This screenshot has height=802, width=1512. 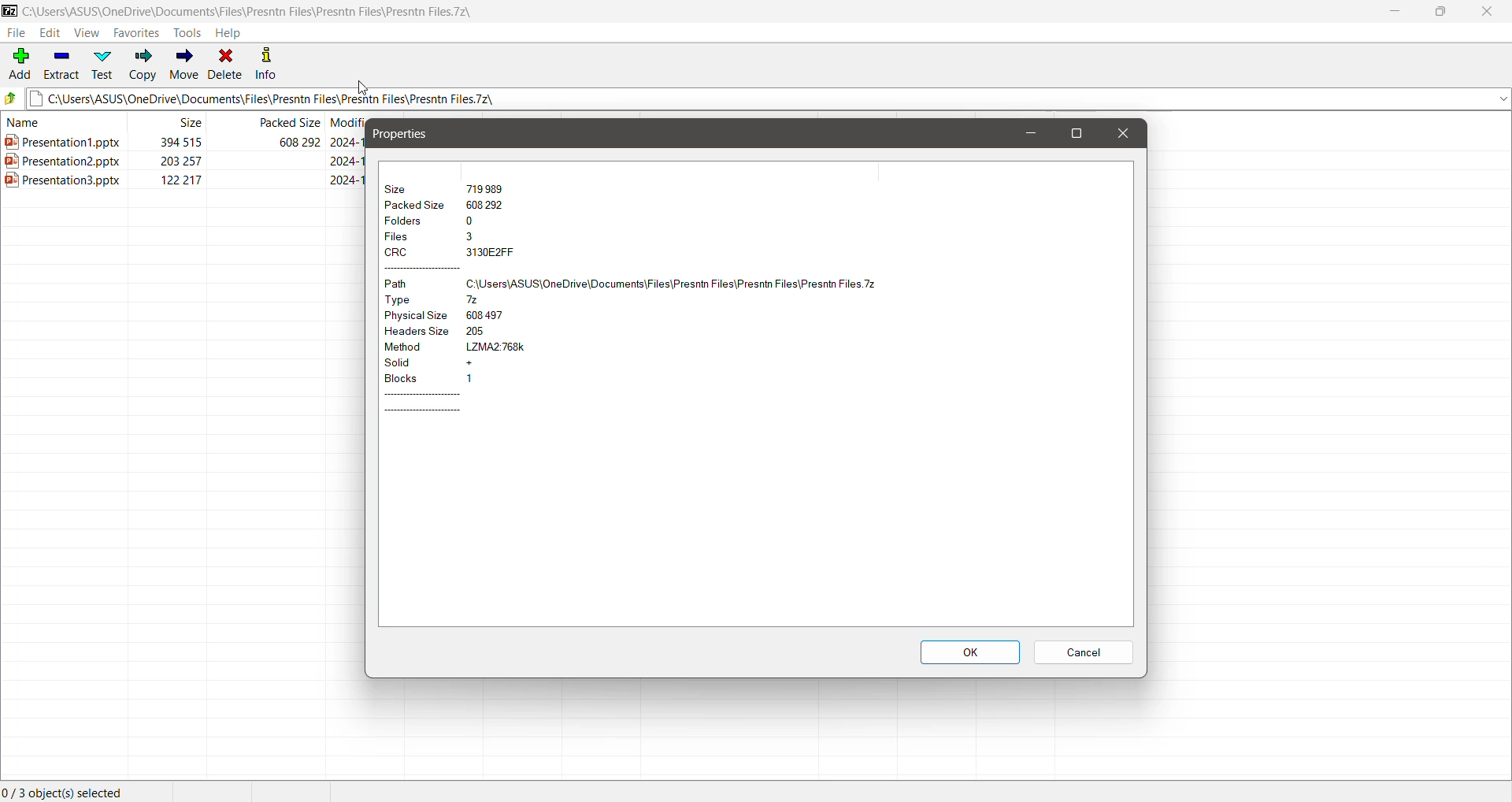 I want to click on Cancel, so click(x=1085, y=654).